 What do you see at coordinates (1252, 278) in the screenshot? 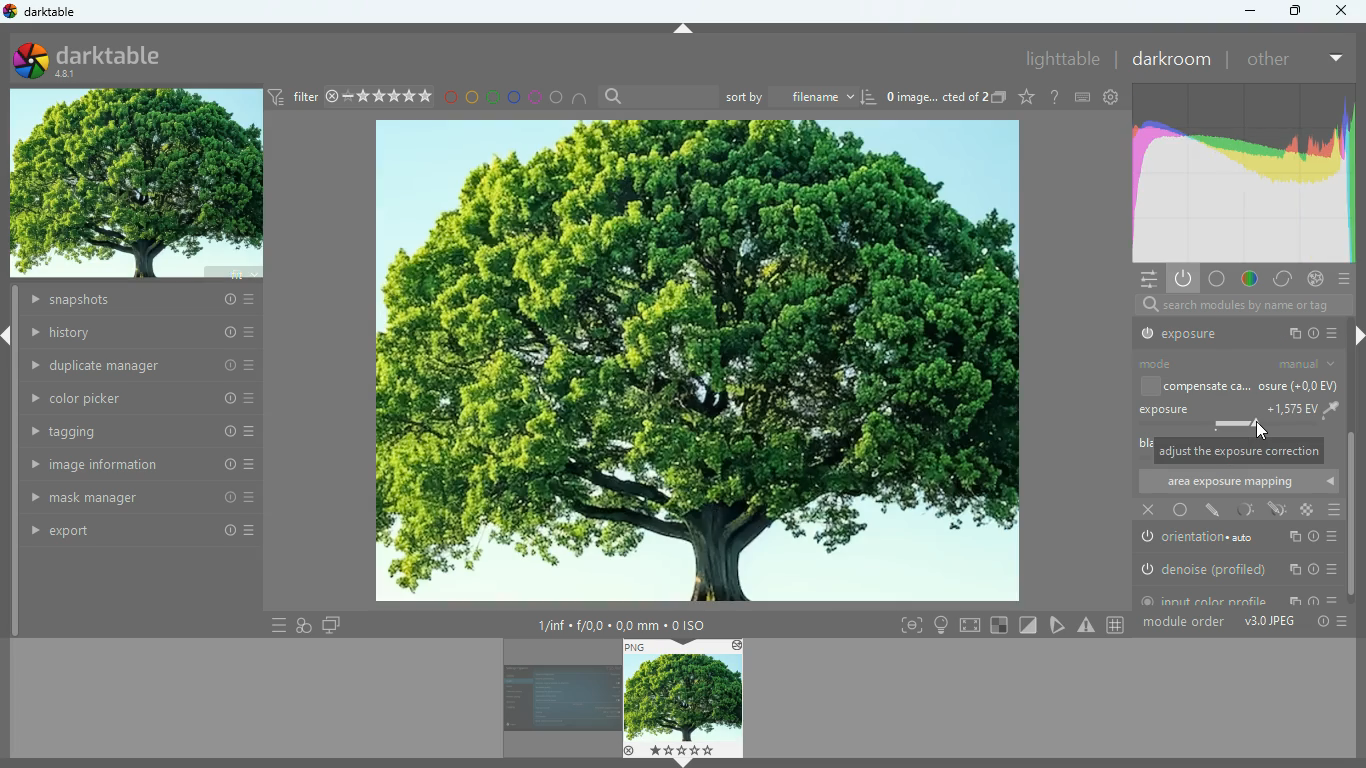
I see `color` at bounding box center [1252, 278].